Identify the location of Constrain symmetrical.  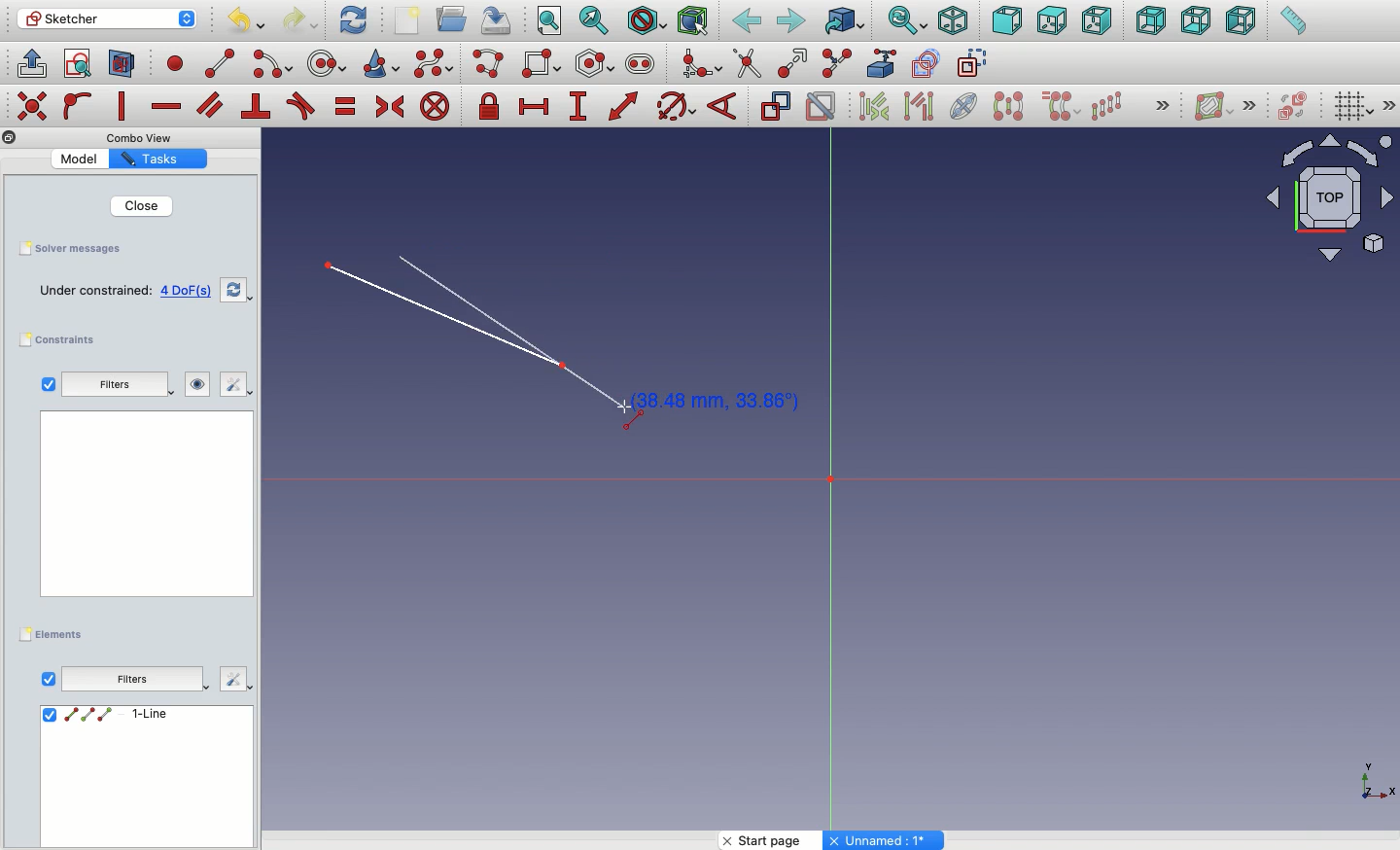
(390, 107).